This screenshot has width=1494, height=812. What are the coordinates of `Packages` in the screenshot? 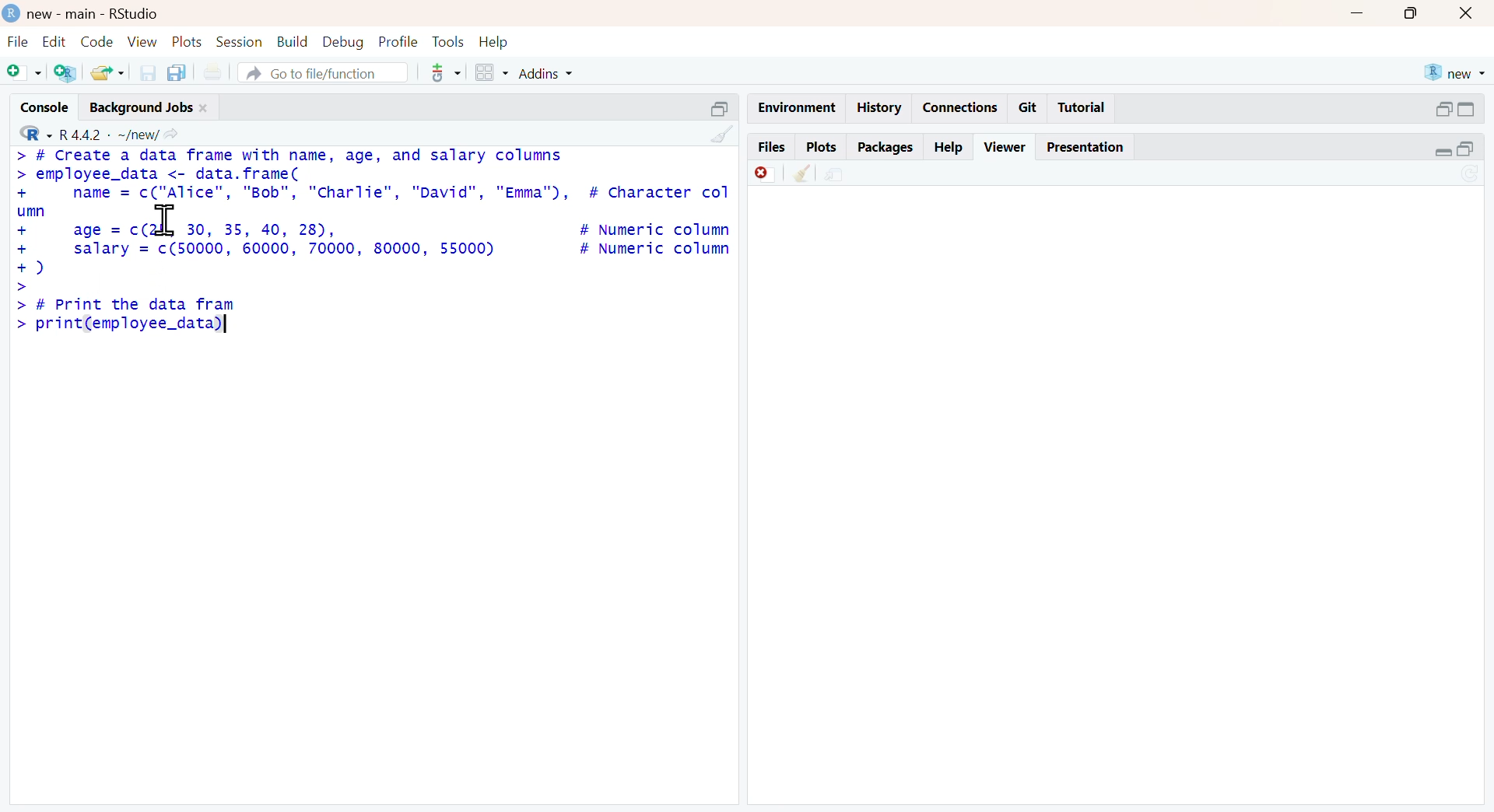 It's located at (886, 145).